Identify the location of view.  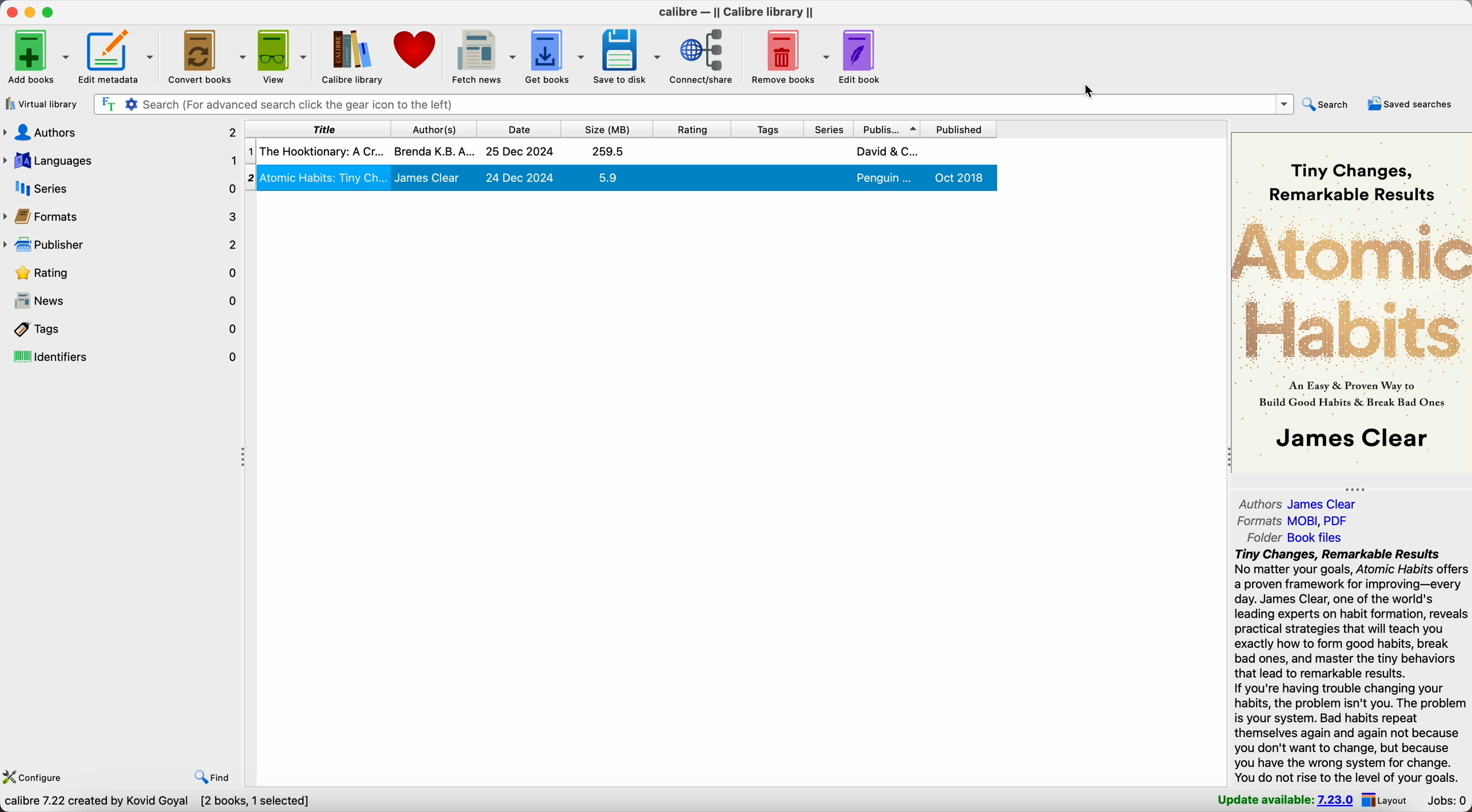
(283, 56).